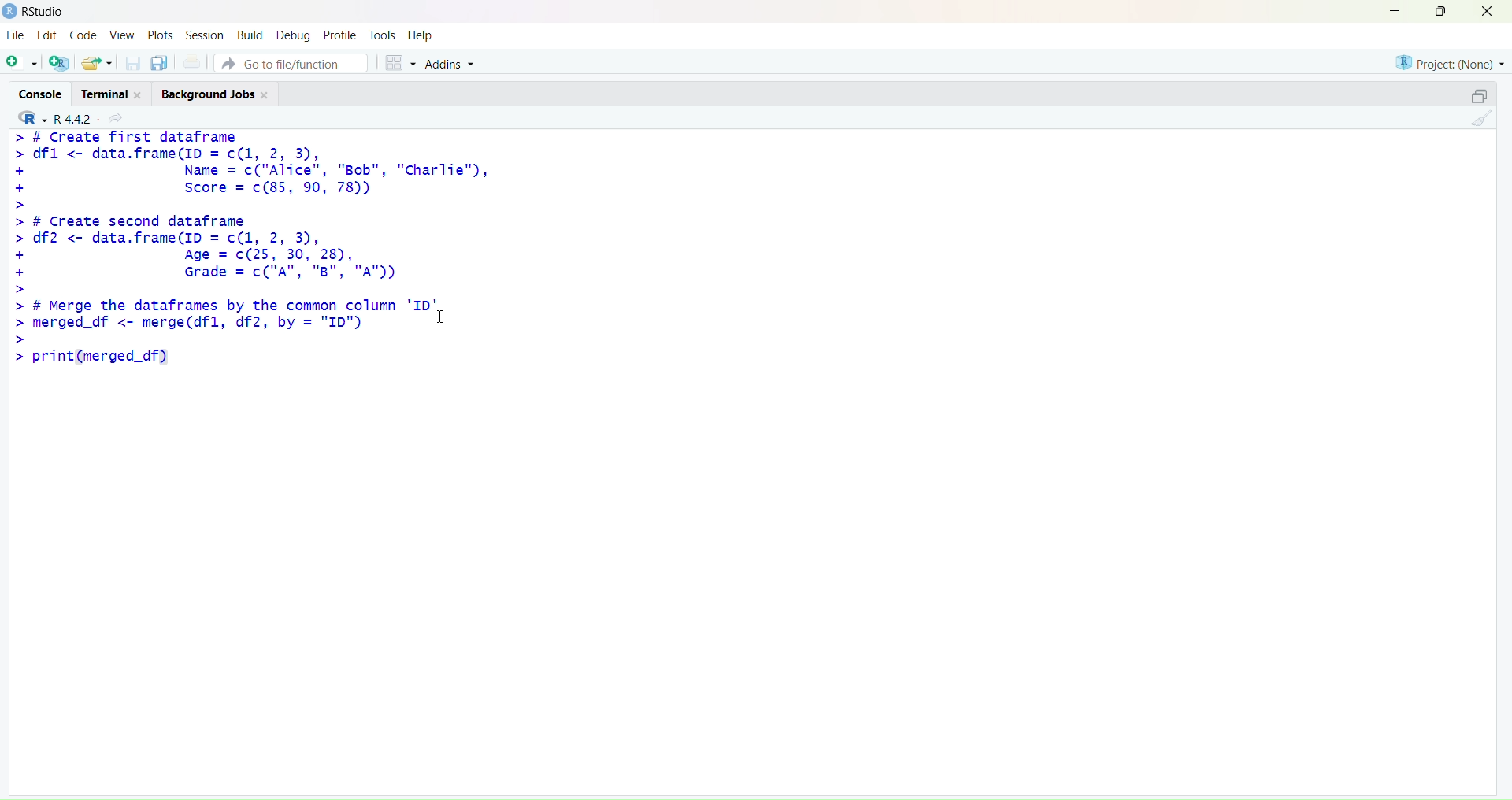 This screenshot has height=800, width=1512. Describe the element at coordinates (291, 63) in the screenshot. I see `Go to file/function` at that location.